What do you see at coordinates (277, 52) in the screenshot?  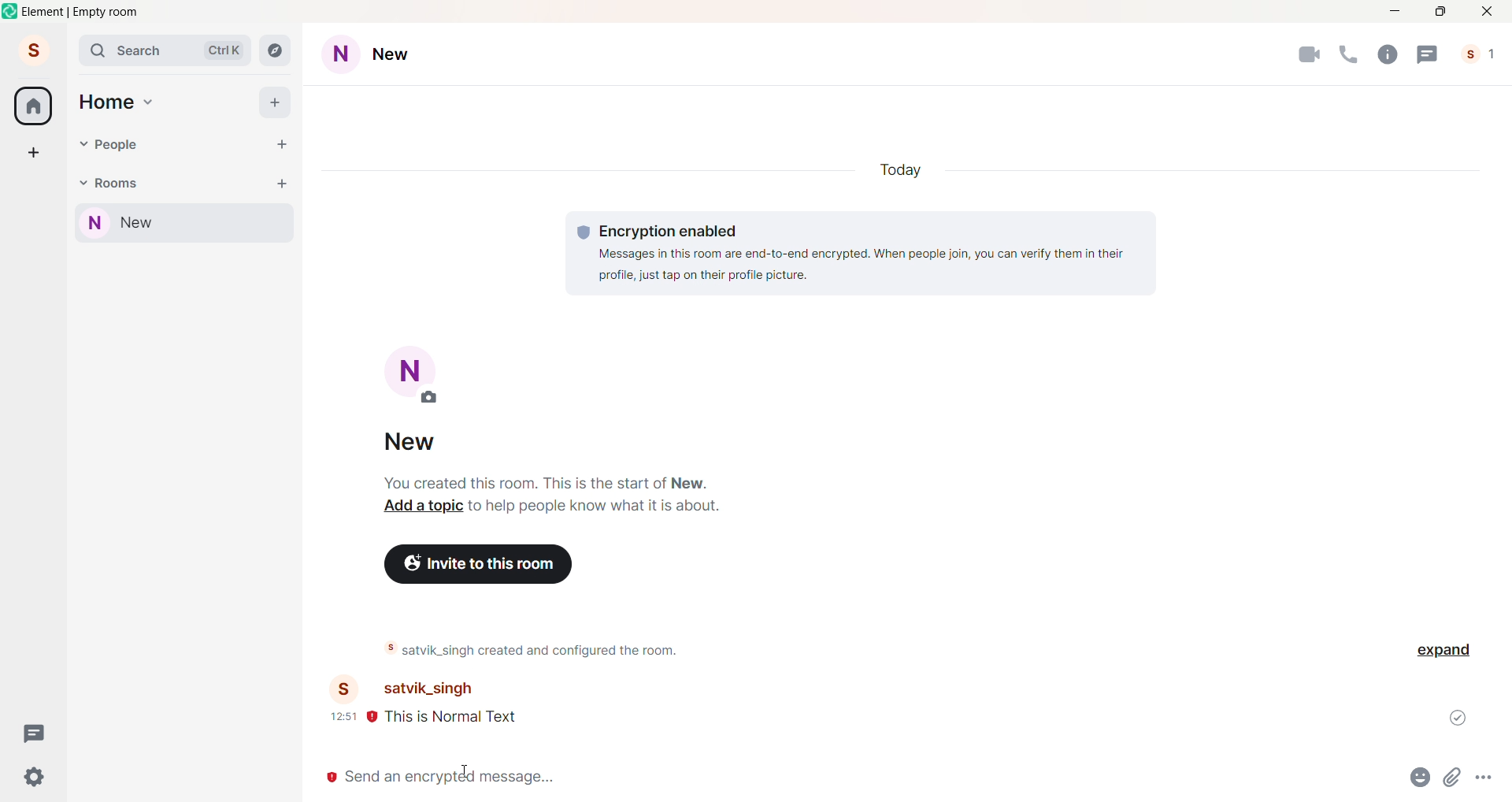 I see `Explore Rooms` at bounding box center [277, 52].